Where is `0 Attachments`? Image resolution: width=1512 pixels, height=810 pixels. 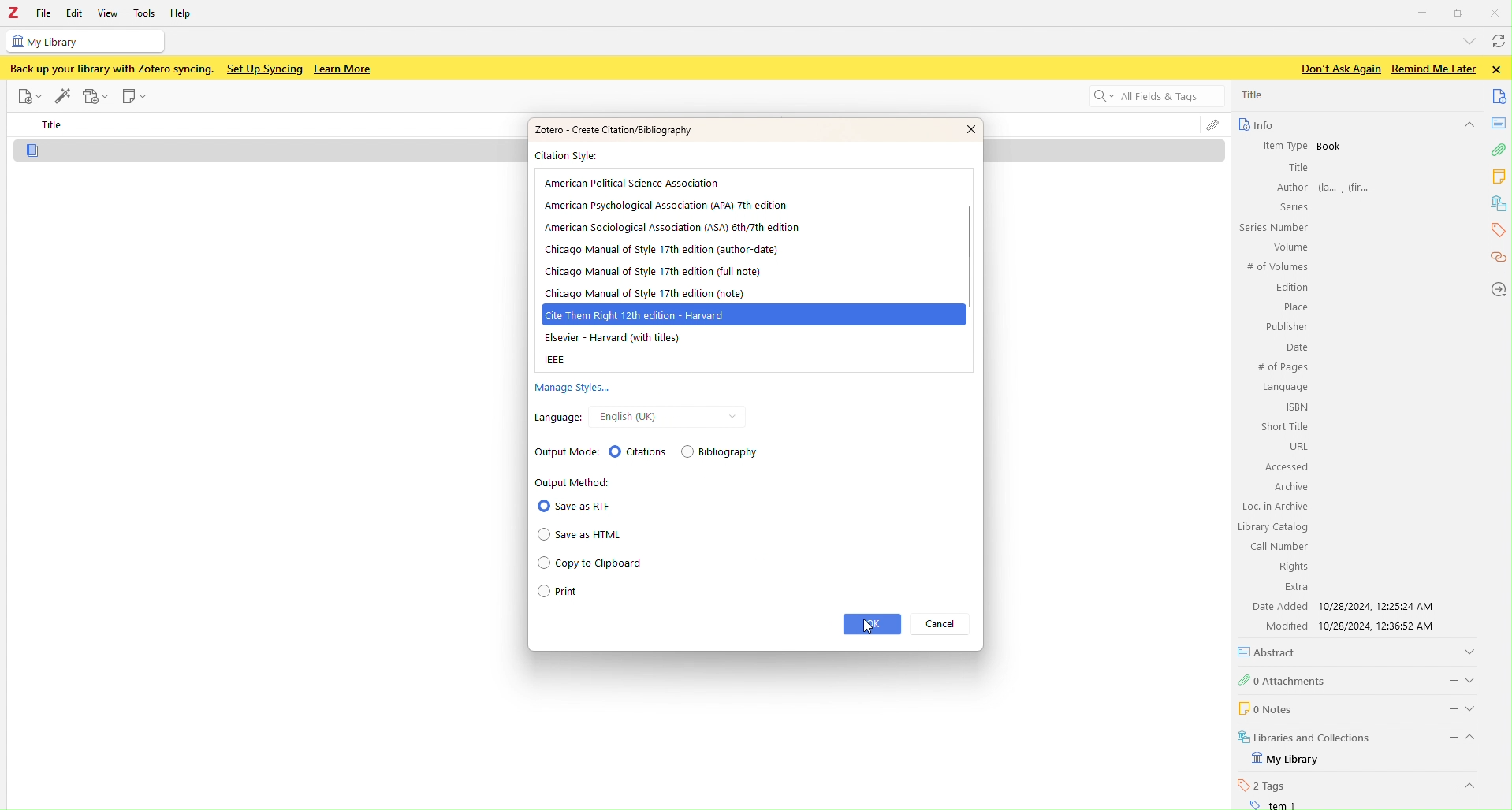
0 Attachments is located at coordinates (1283, 679).